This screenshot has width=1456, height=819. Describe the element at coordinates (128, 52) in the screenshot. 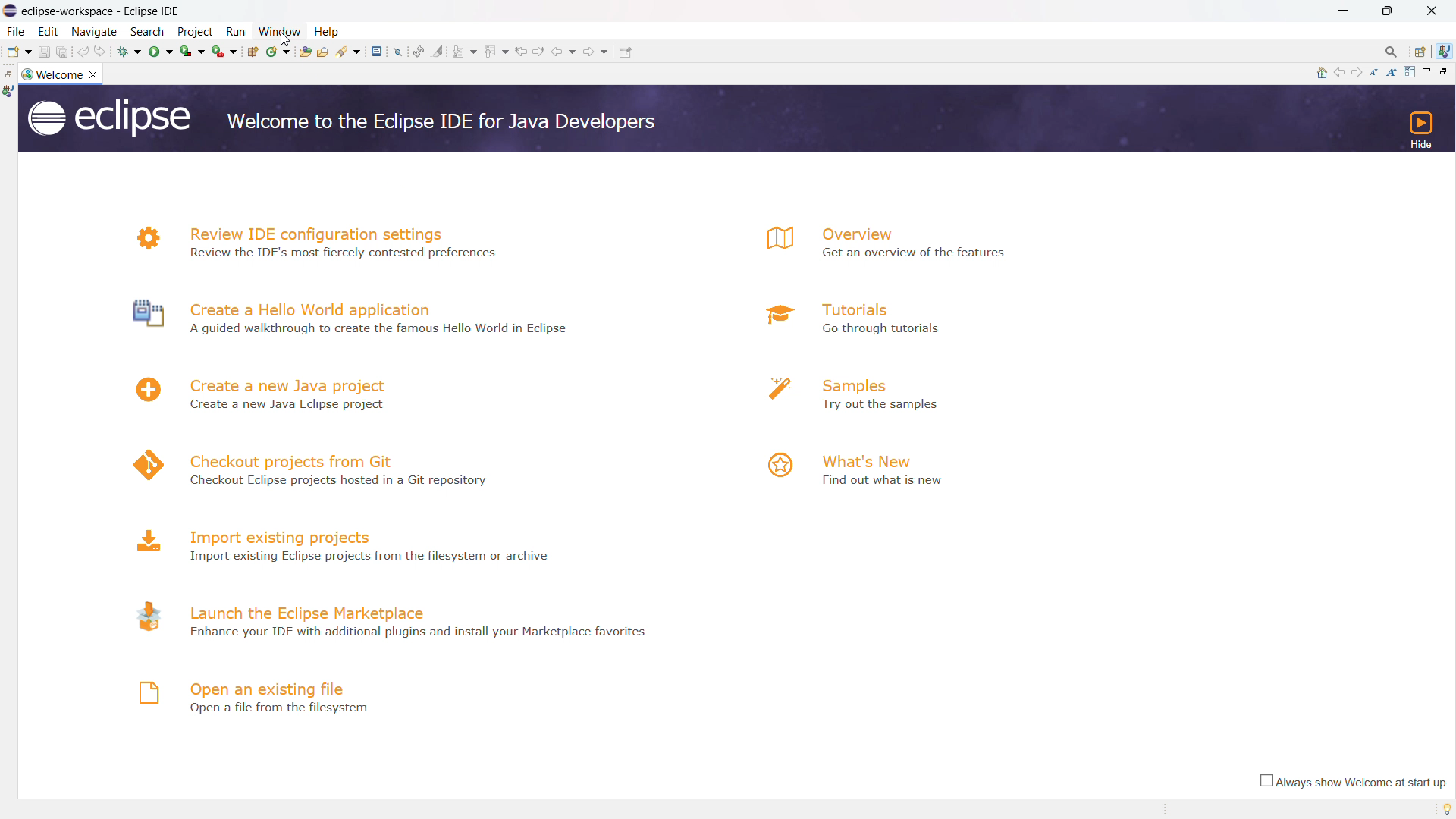

I see `debug` at that location.